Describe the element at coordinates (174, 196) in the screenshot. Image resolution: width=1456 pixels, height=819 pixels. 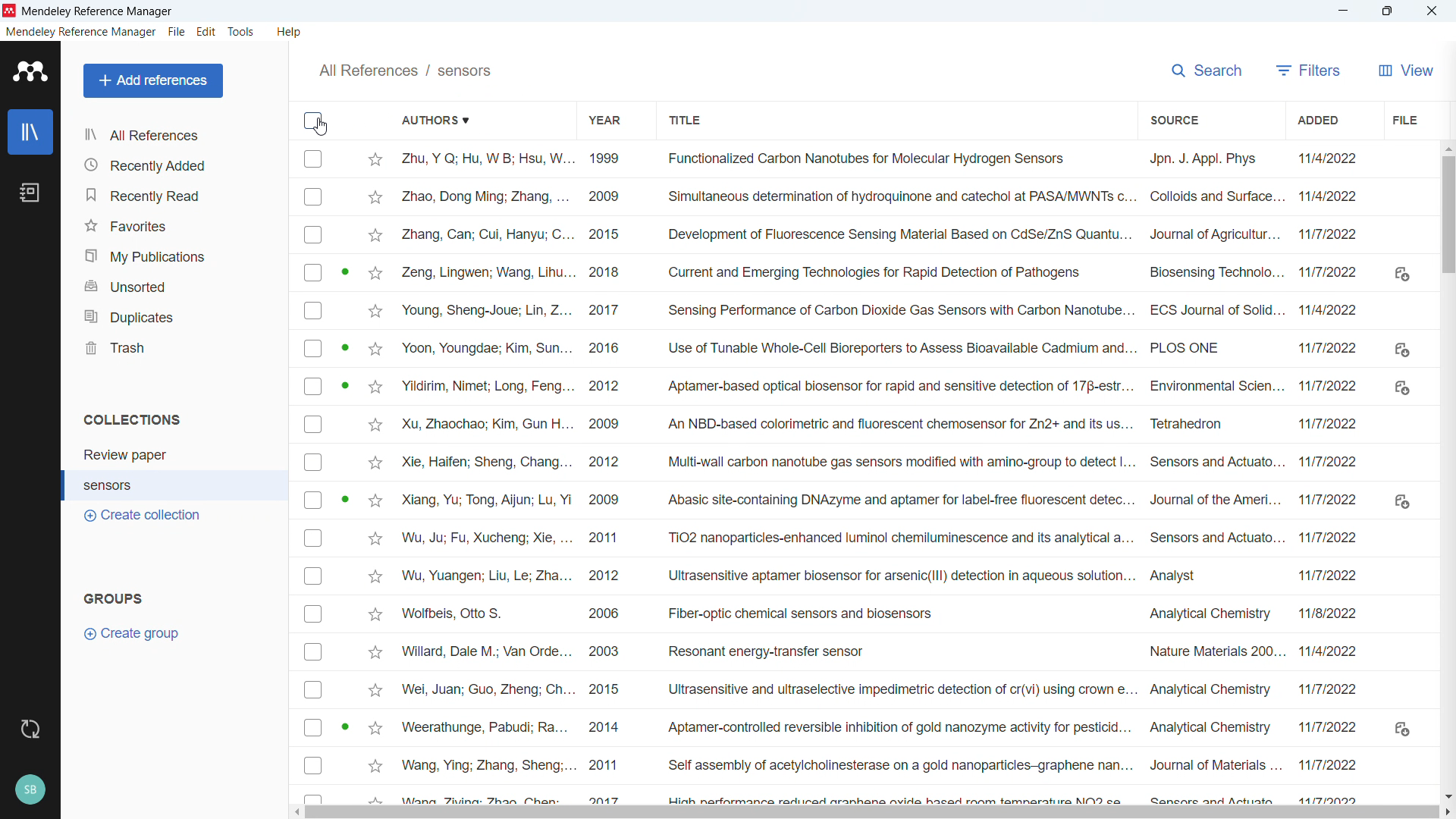
I see `recently read` at that location.